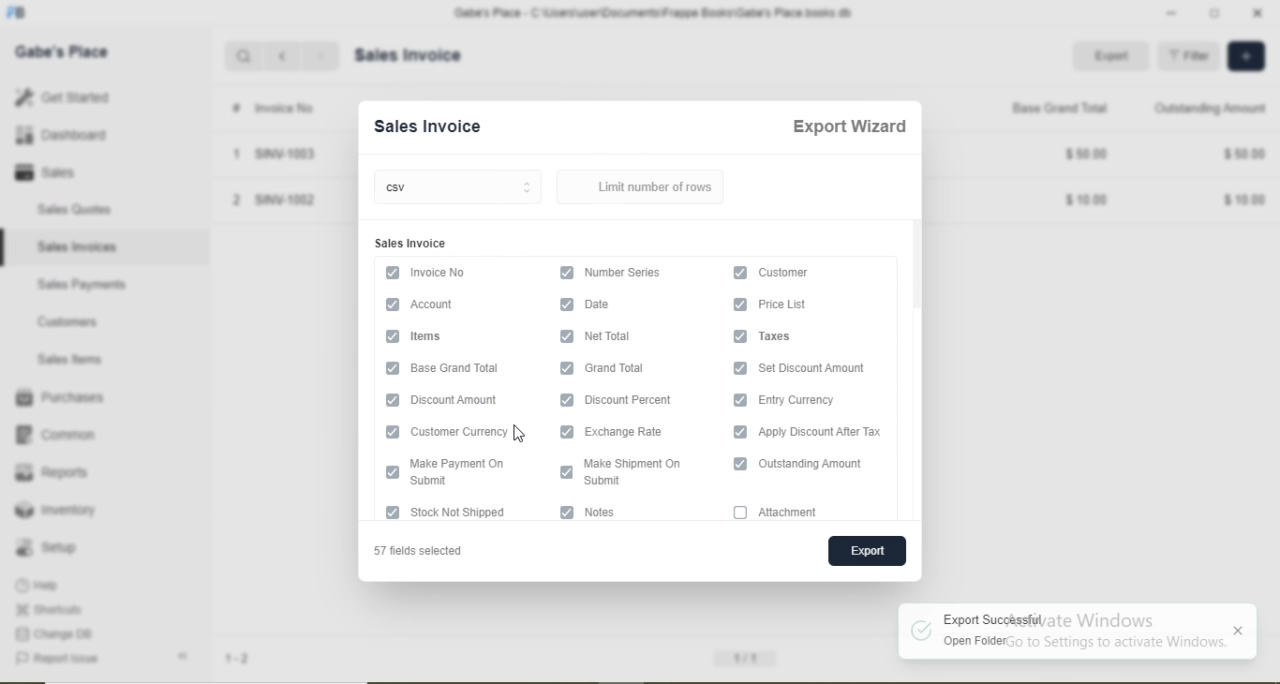 Image resolution: width=1280 pixels, height=684 pixels. I want to click on Close notification, so click(1238, 630).